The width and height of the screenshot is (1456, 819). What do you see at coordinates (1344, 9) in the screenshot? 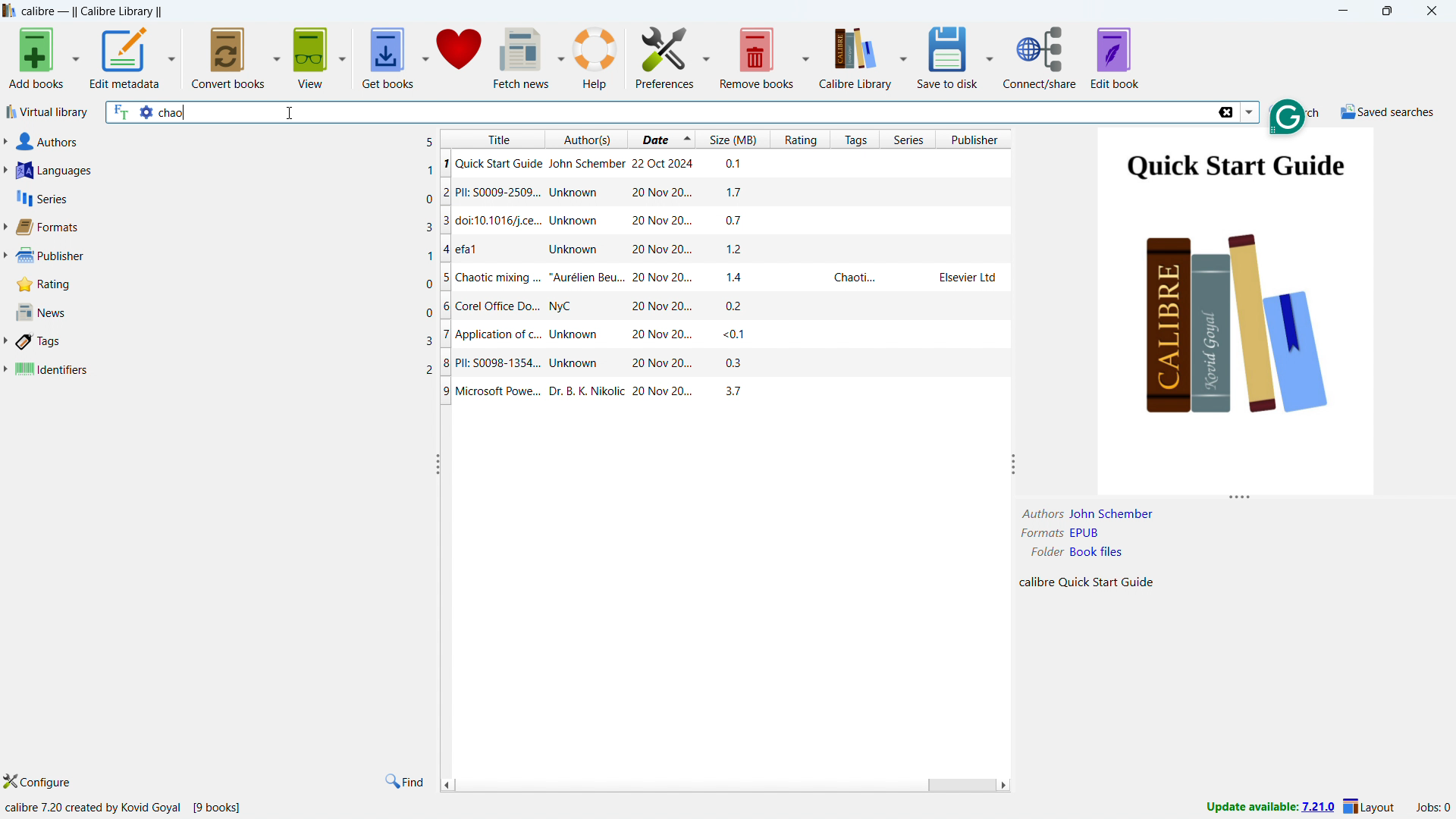
I see `minimize` at bounding box center [1344, 9].